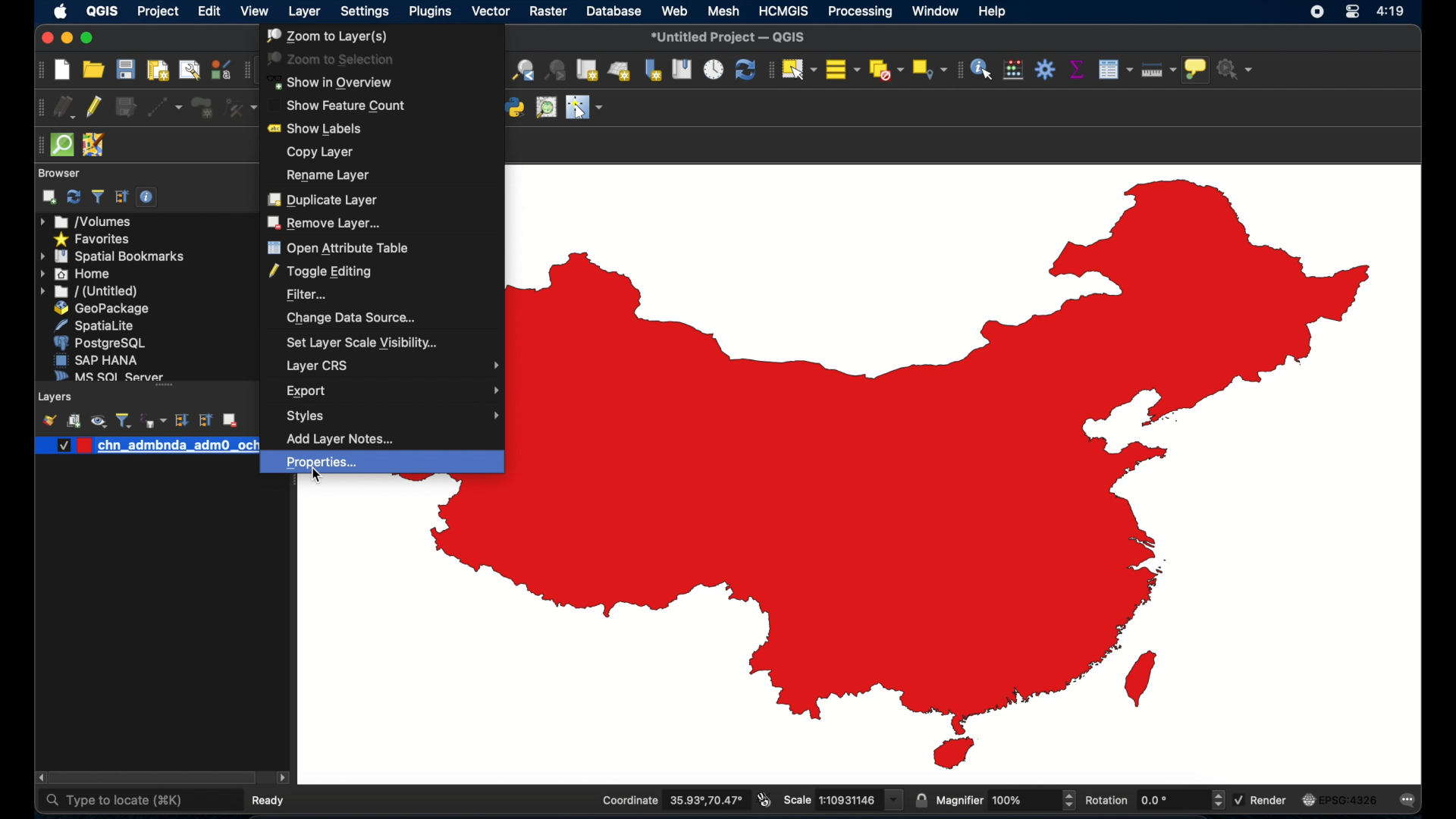  I want to click on screen recorder icon, so click(1316, 11).